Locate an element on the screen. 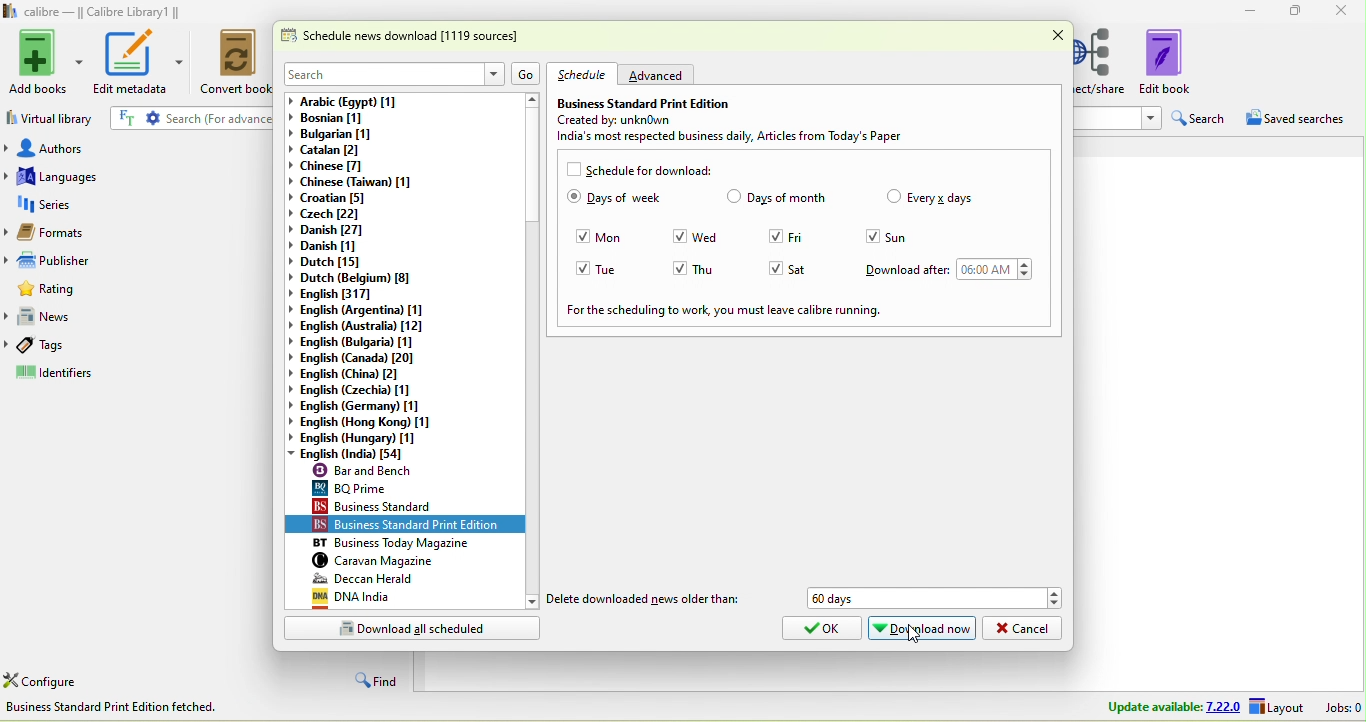 The height and width of the screenshot is (722, 1366). jobs 0 is located at coordinates (1339, 707).